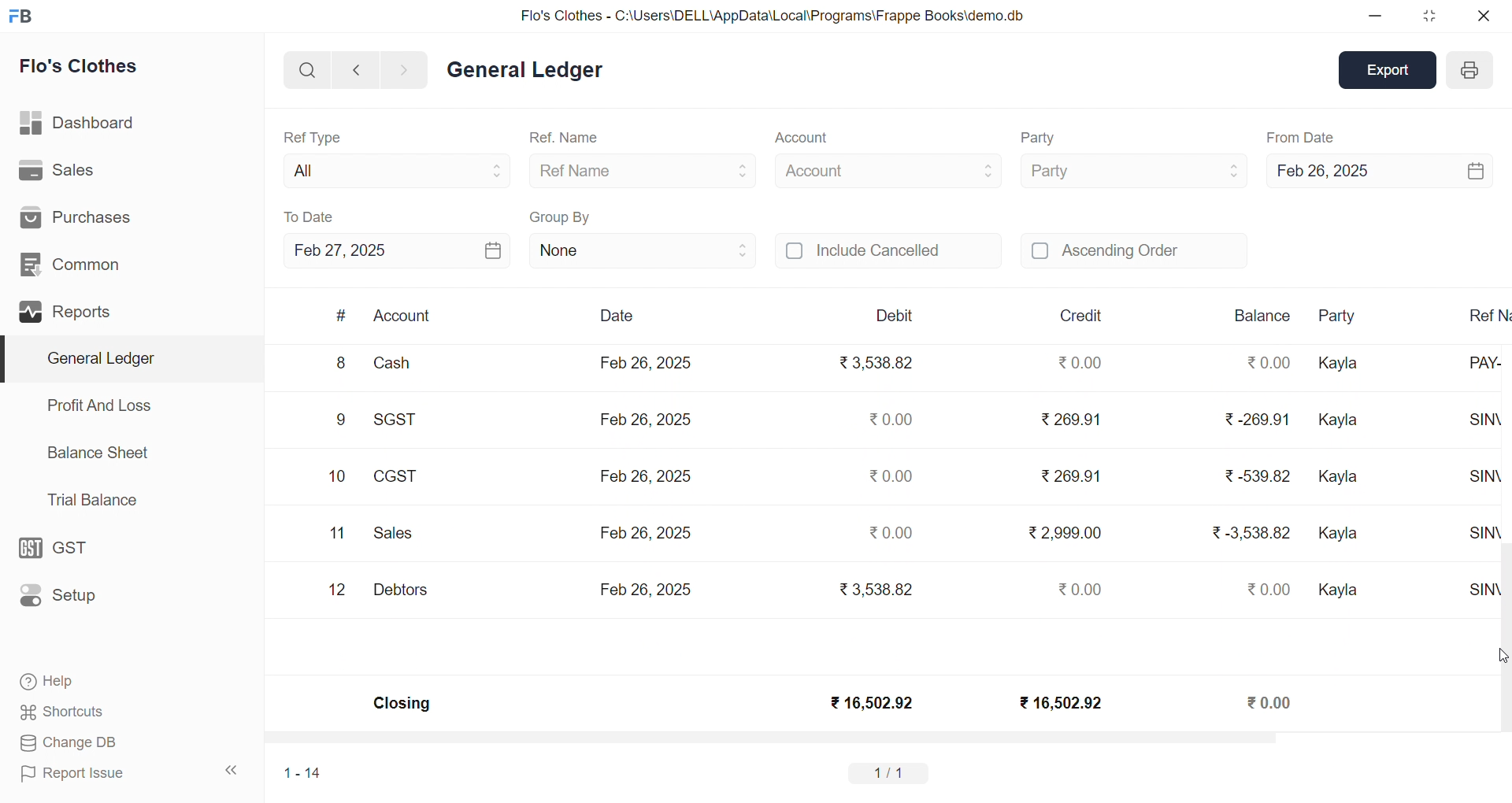 The image size is (1512, 803). Describe the element at coordinates (80, 66) in the screenshot. I see `Flo's Clothes` at that location.